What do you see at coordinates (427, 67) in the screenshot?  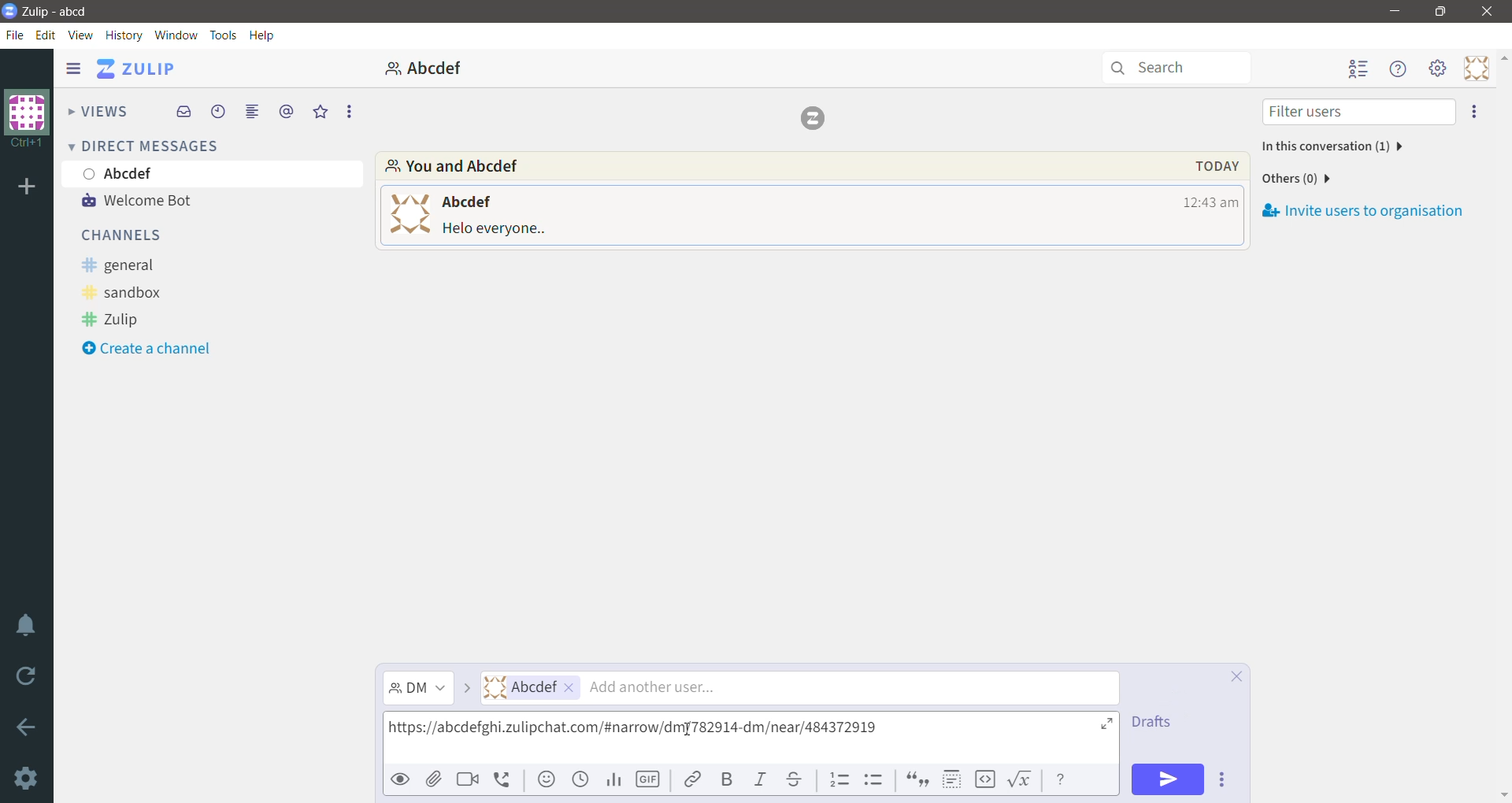 I see `abcdef` at bounding box center [427, 67].